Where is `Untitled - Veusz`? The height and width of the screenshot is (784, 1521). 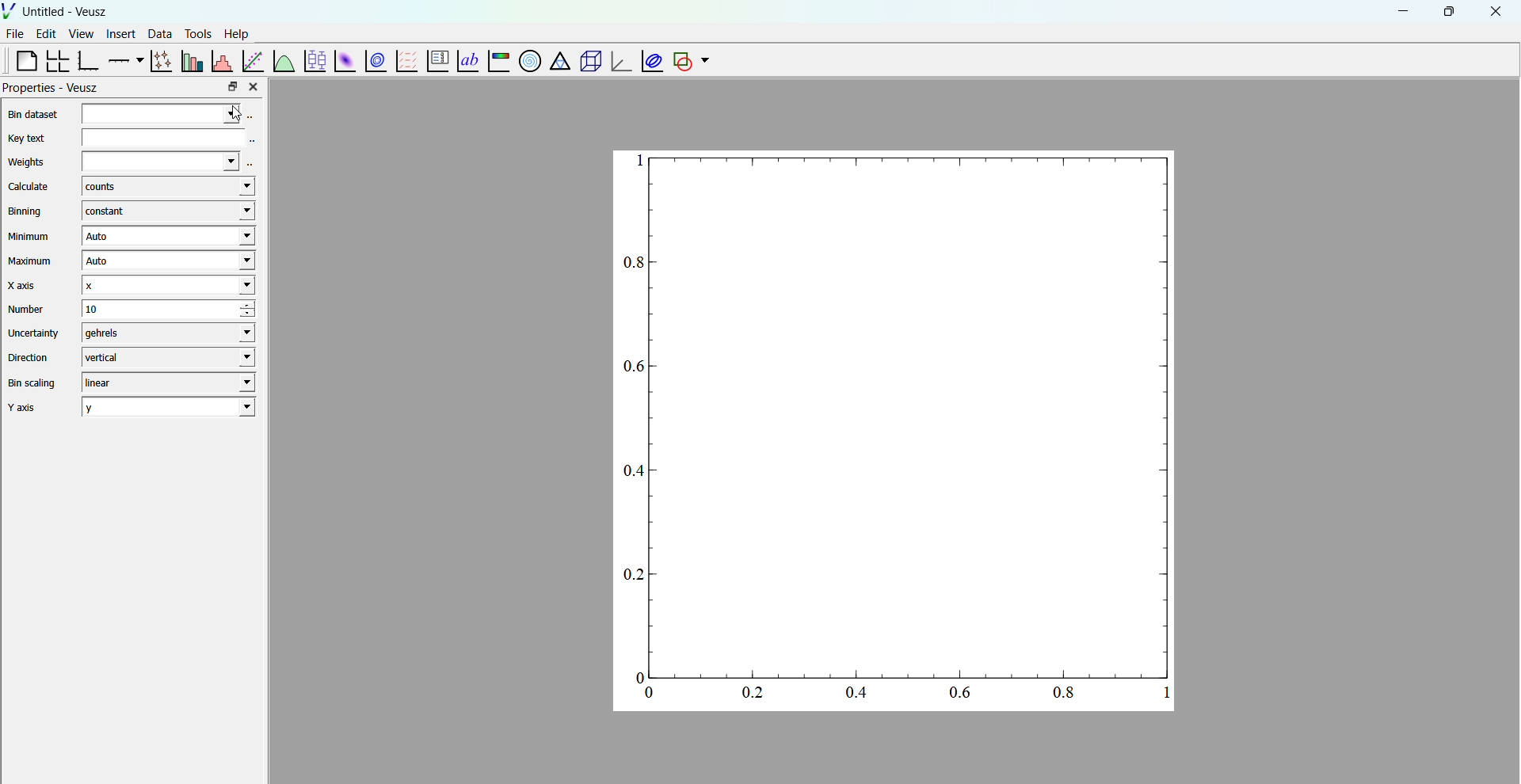
Untitled - Veusz is located at coordinates (67, 12).